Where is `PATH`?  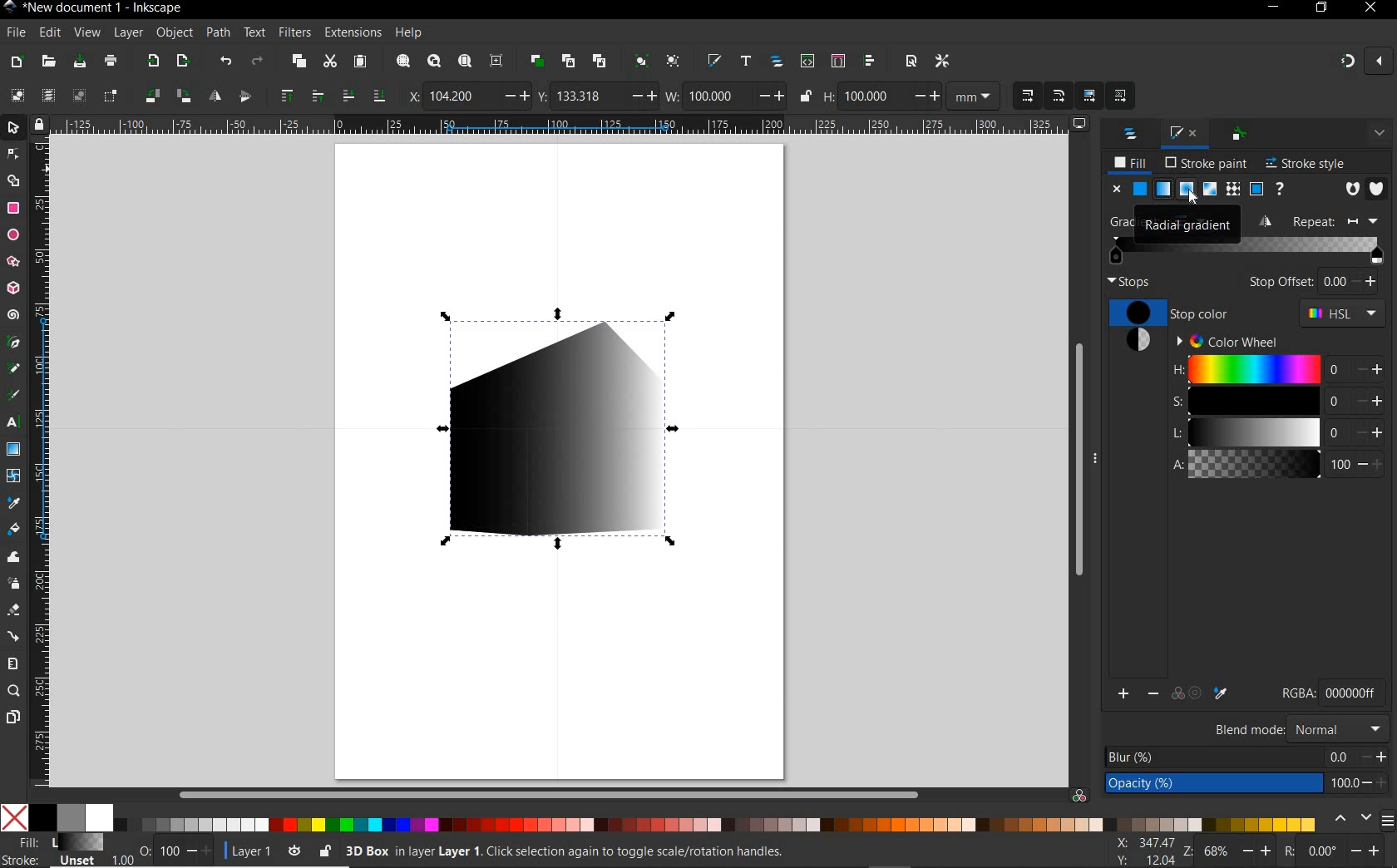
PATH is located at coordinates (219, 33).